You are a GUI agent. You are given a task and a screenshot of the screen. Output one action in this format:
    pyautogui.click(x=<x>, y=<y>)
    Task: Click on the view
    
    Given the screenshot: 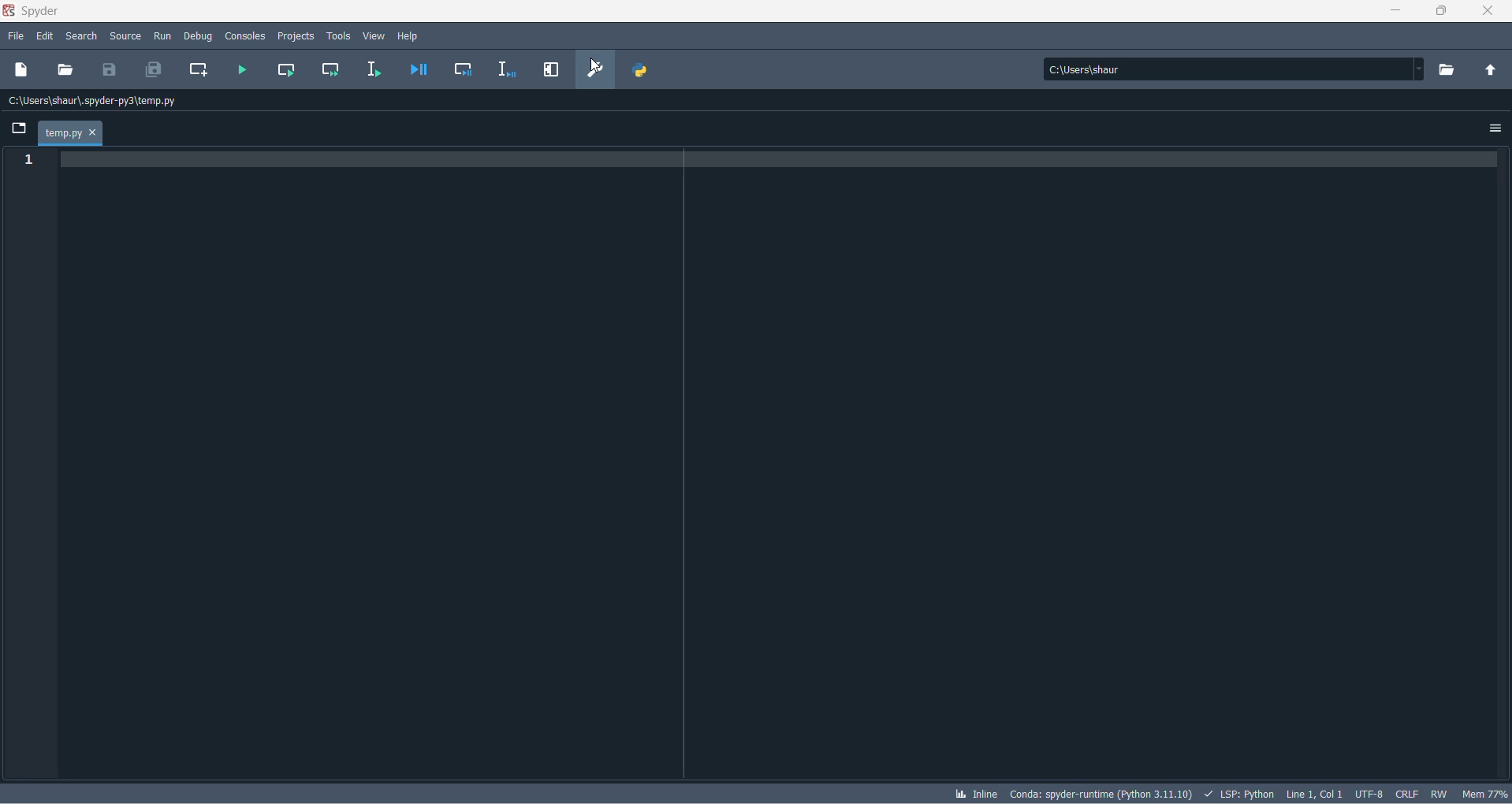 What is the action you would take?
    pyautogui.click(x=374, y=36)
    